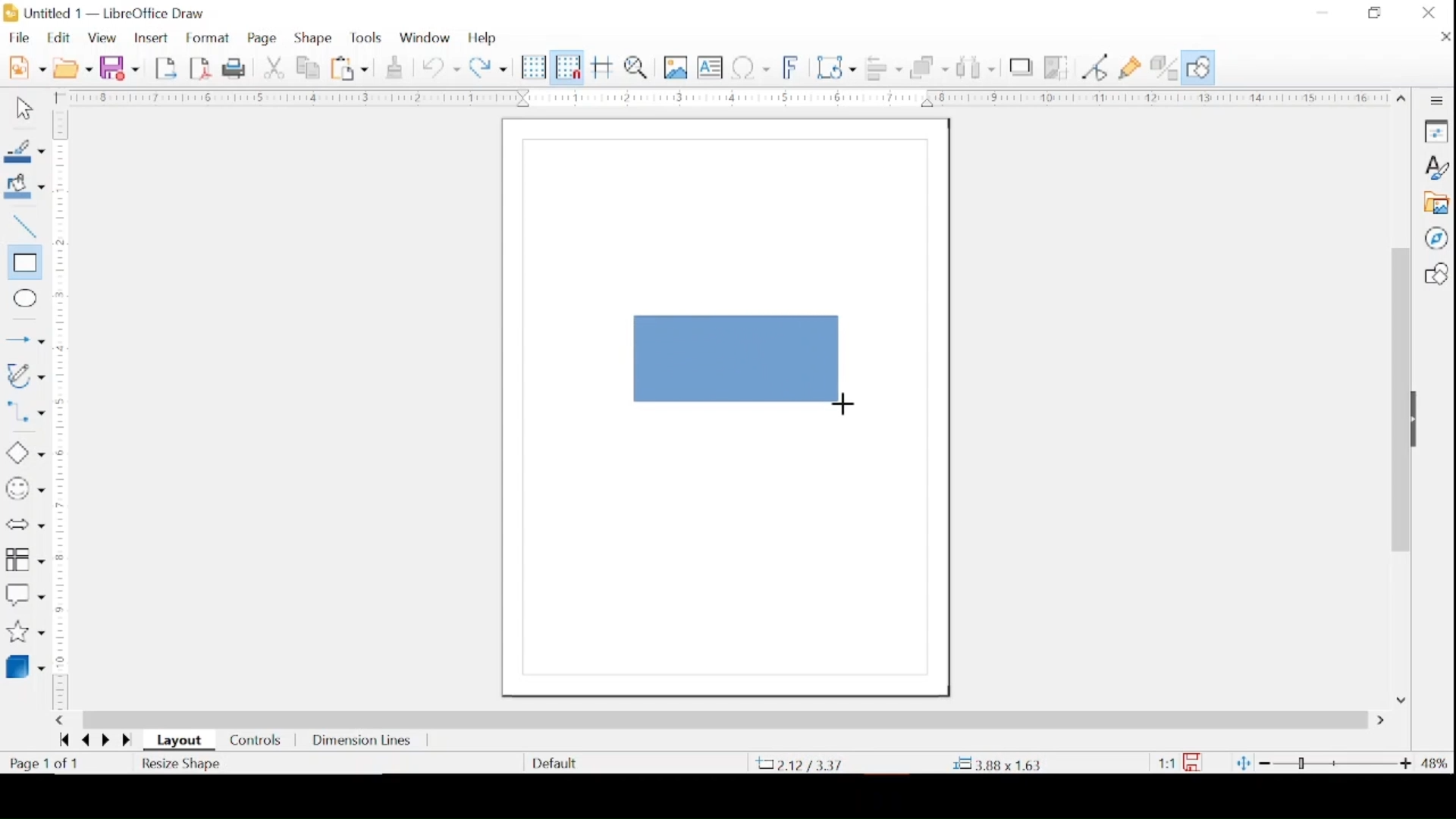 This screenshot has height=819, width=1456. Describe the element at coordinates (838, 67) in the screenshot. I see `transformations` at that location.